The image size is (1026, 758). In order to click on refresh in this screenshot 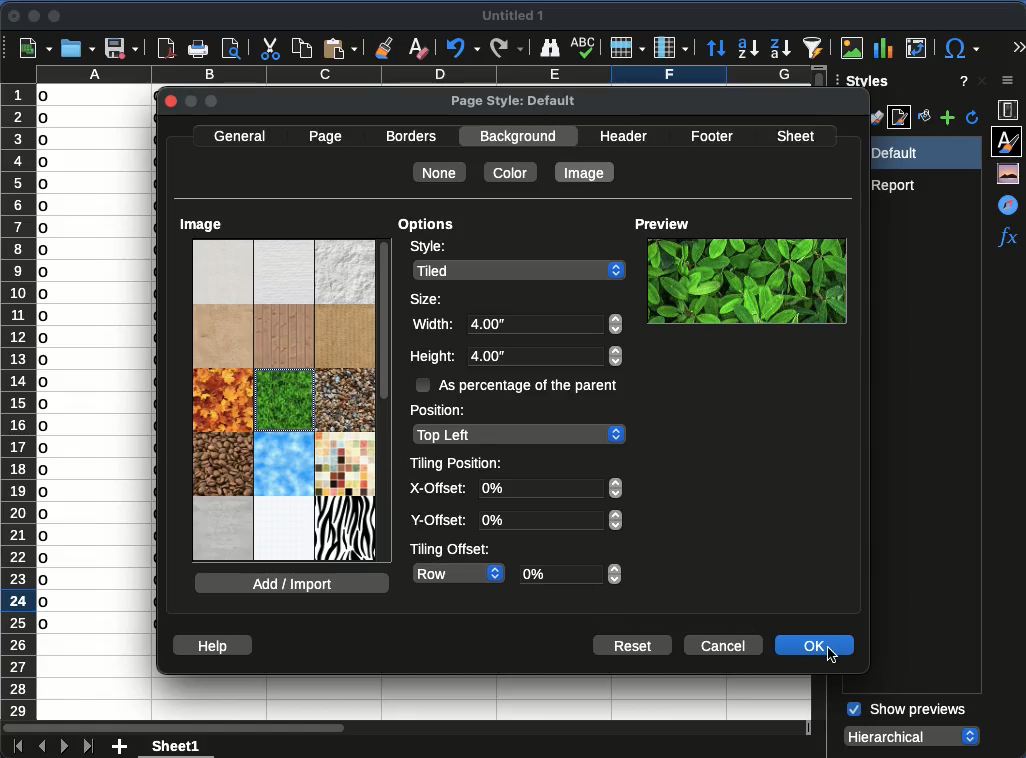, I will do `click(973, 118)`.